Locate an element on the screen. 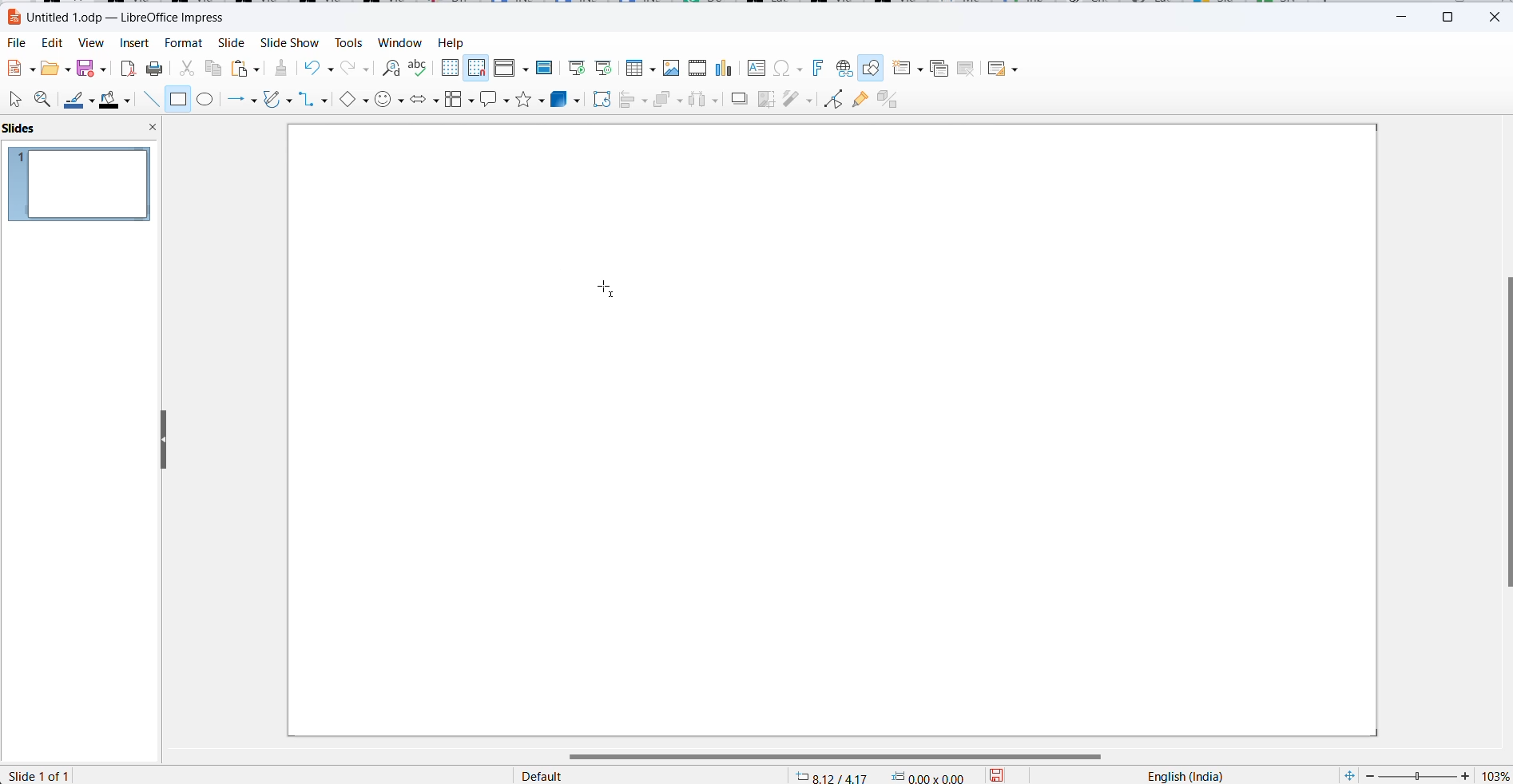 The width and height of the screenshot is (1513, 784). new slide is located at coordinates (908, 69).